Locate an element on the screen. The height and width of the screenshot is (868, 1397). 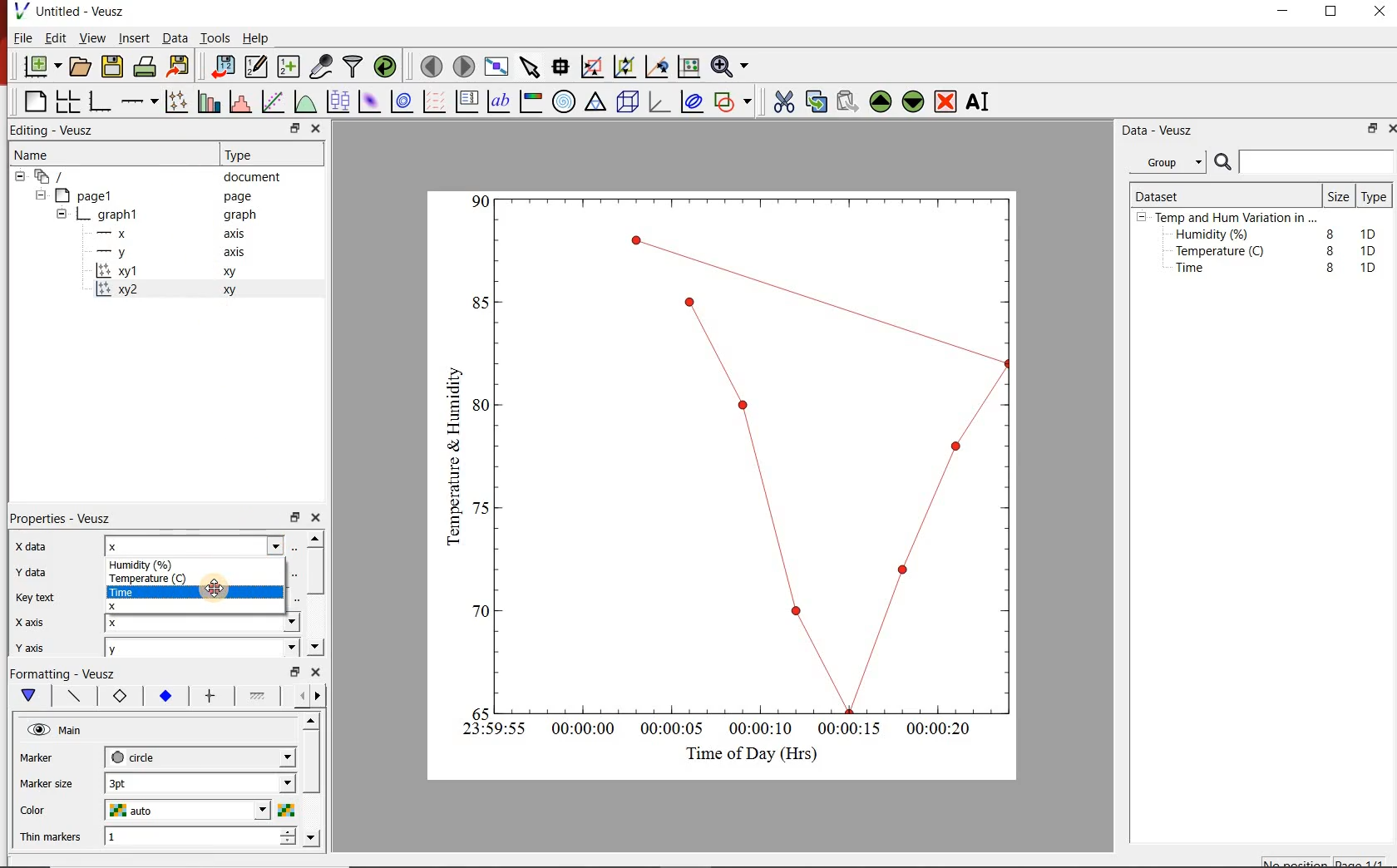
add a shape to the plot is located at coordinates (737, 104).